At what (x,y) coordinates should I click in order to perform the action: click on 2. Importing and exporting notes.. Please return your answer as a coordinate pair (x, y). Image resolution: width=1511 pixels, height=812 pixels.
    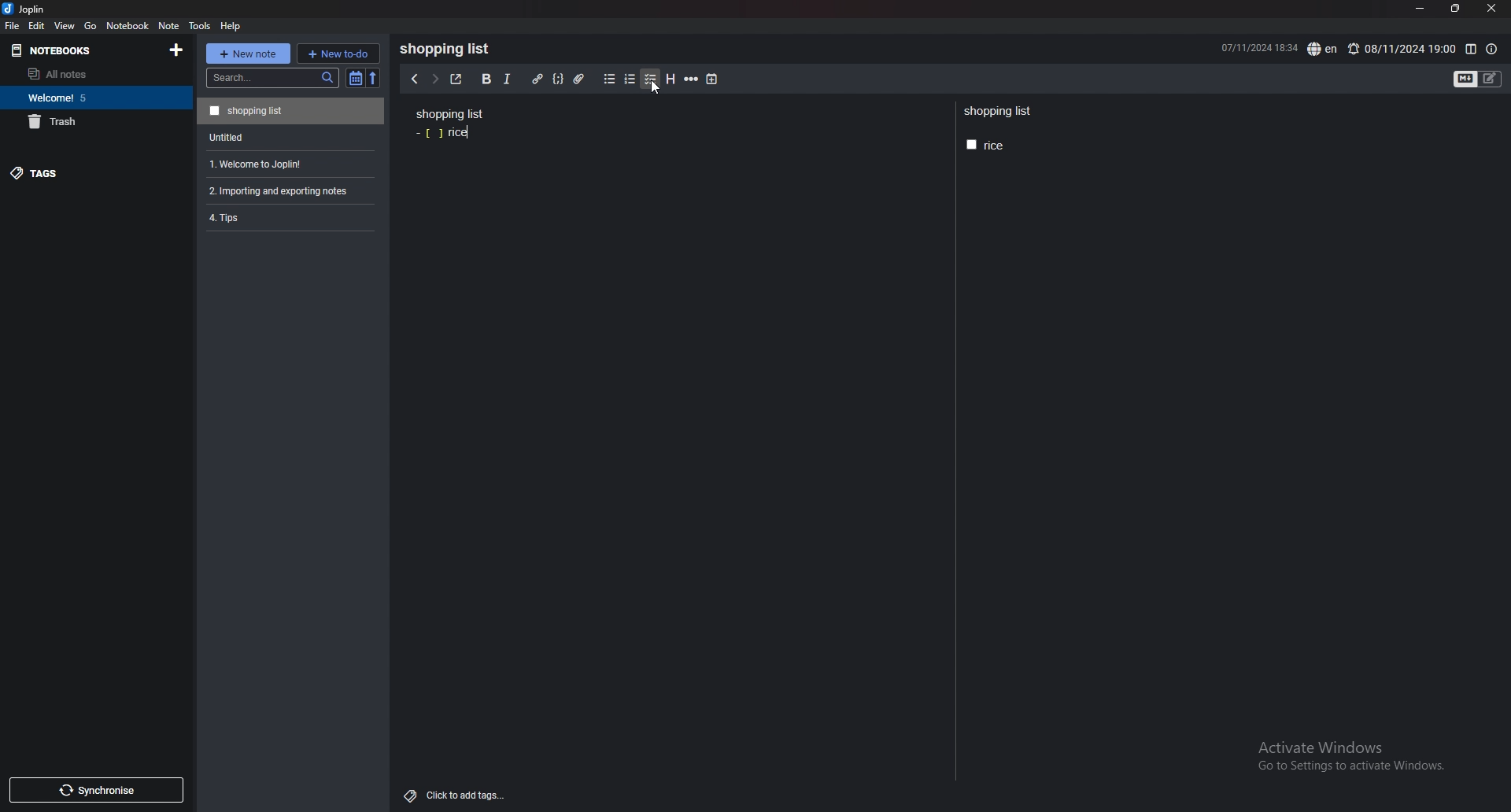
    Looking at the image, I should click on (289, 189).